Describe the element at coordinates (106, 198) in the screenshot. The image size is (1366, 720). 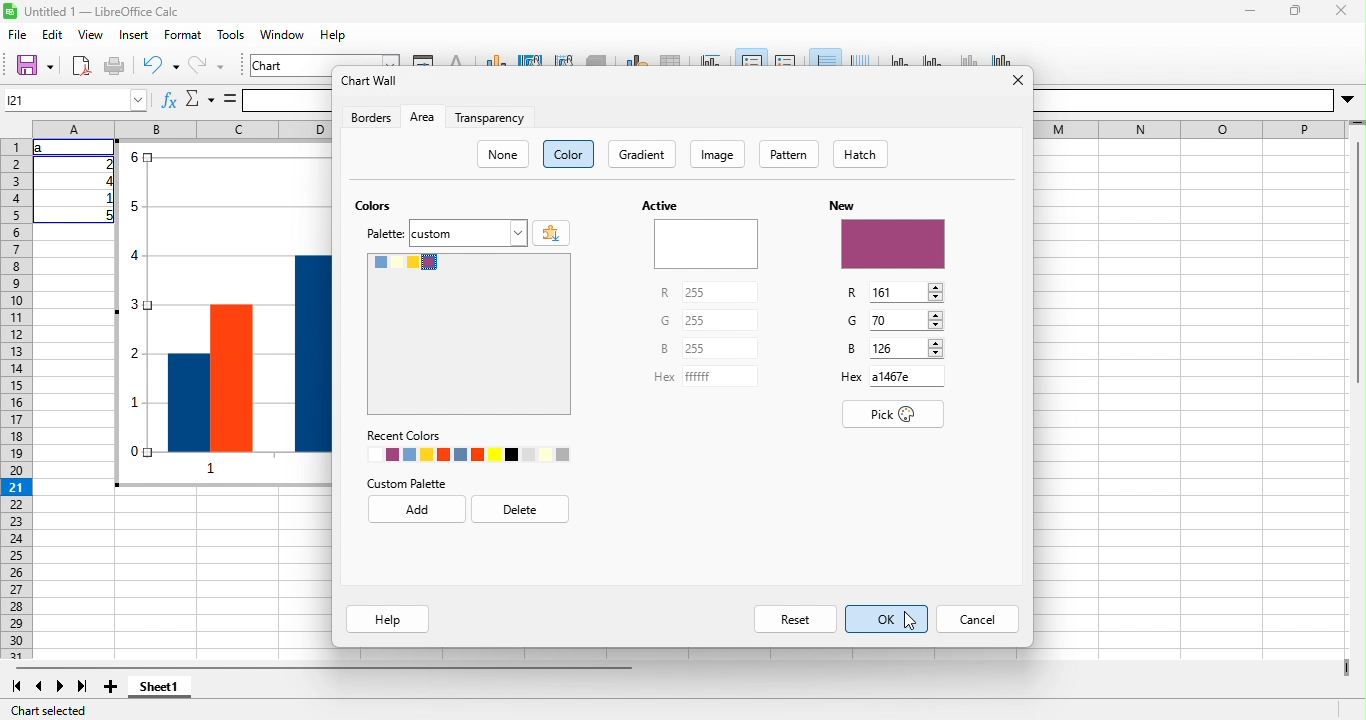
I see `1` at that location.